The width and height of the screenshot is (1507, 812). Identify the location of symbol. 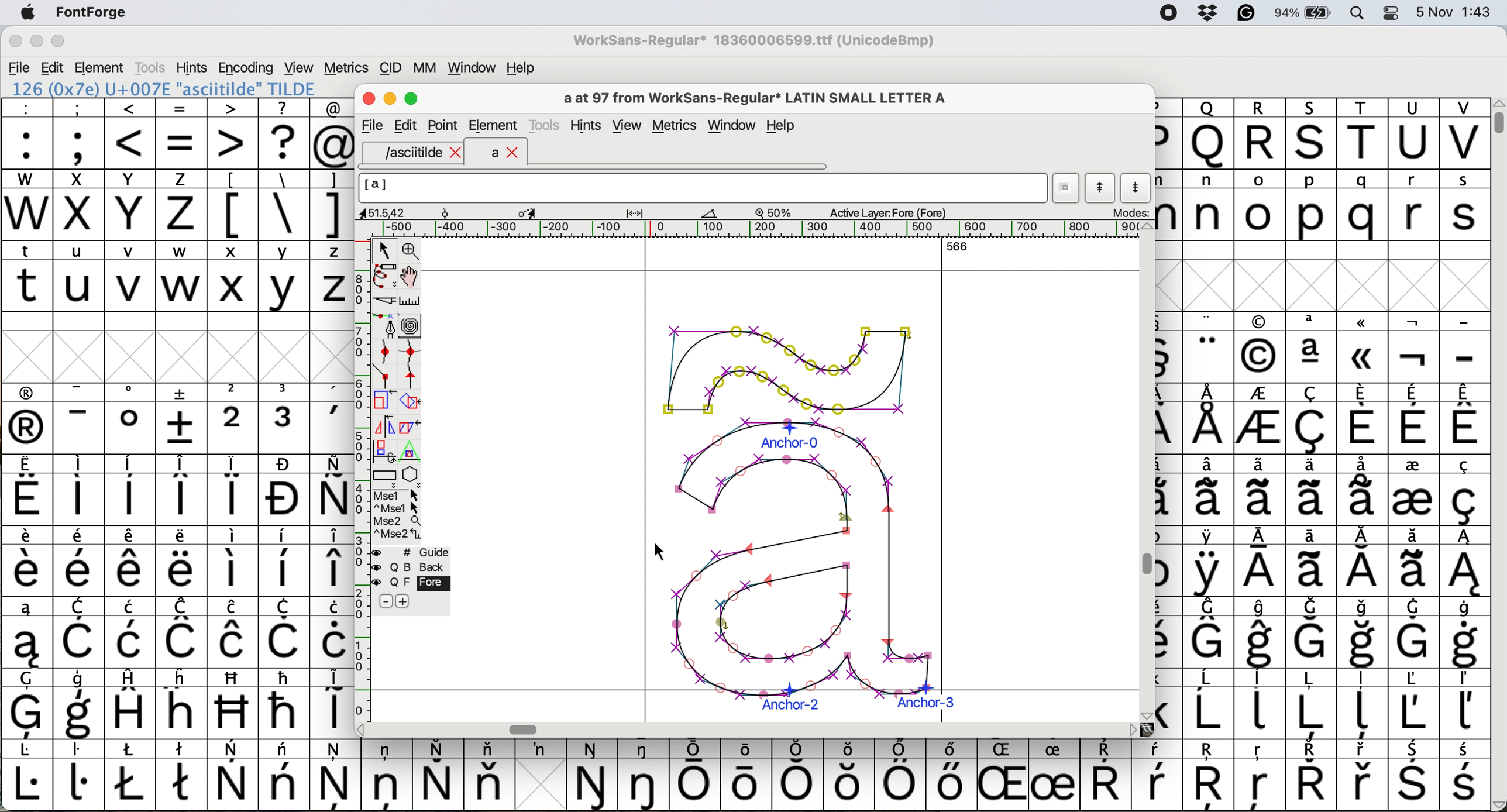
(1413, 419).